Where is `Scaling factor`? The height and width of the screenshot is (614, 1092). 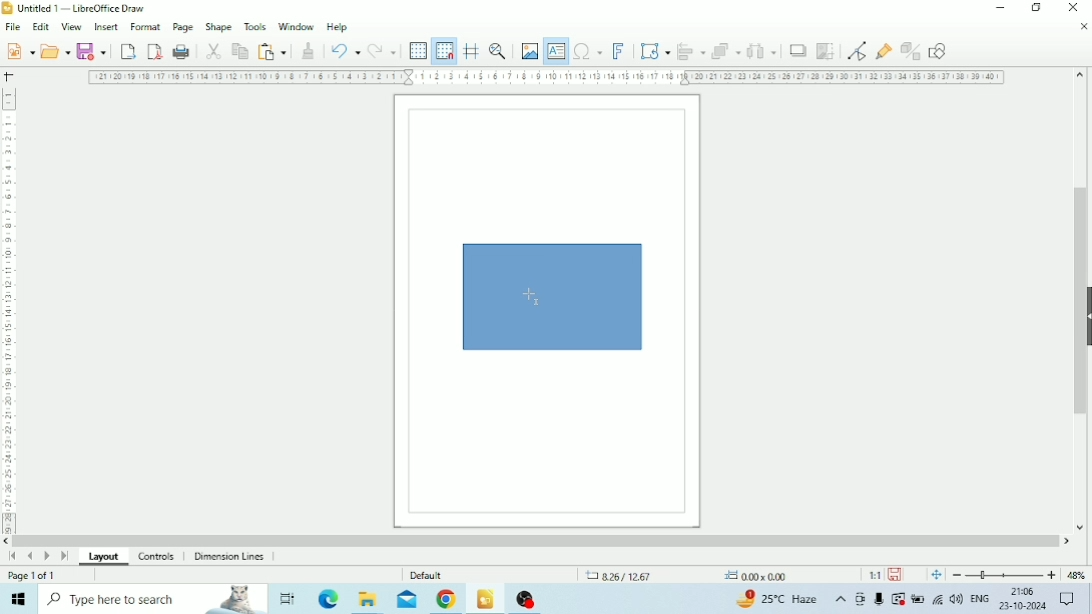
Scaling factor is located at coordinates (873, 574).